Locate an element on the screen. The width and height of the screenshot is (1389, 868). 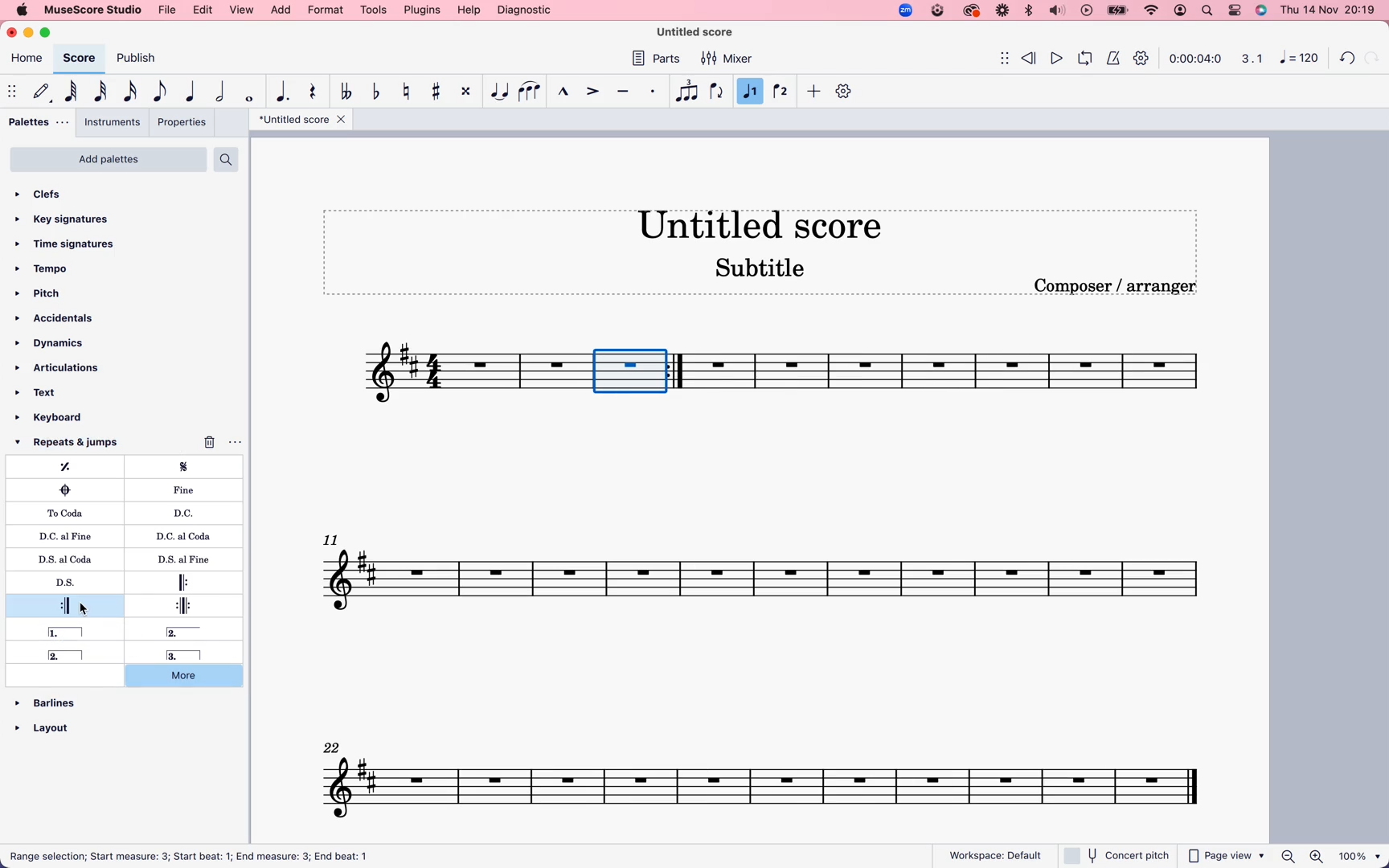
key signatures is located at coordinates (71, 220).